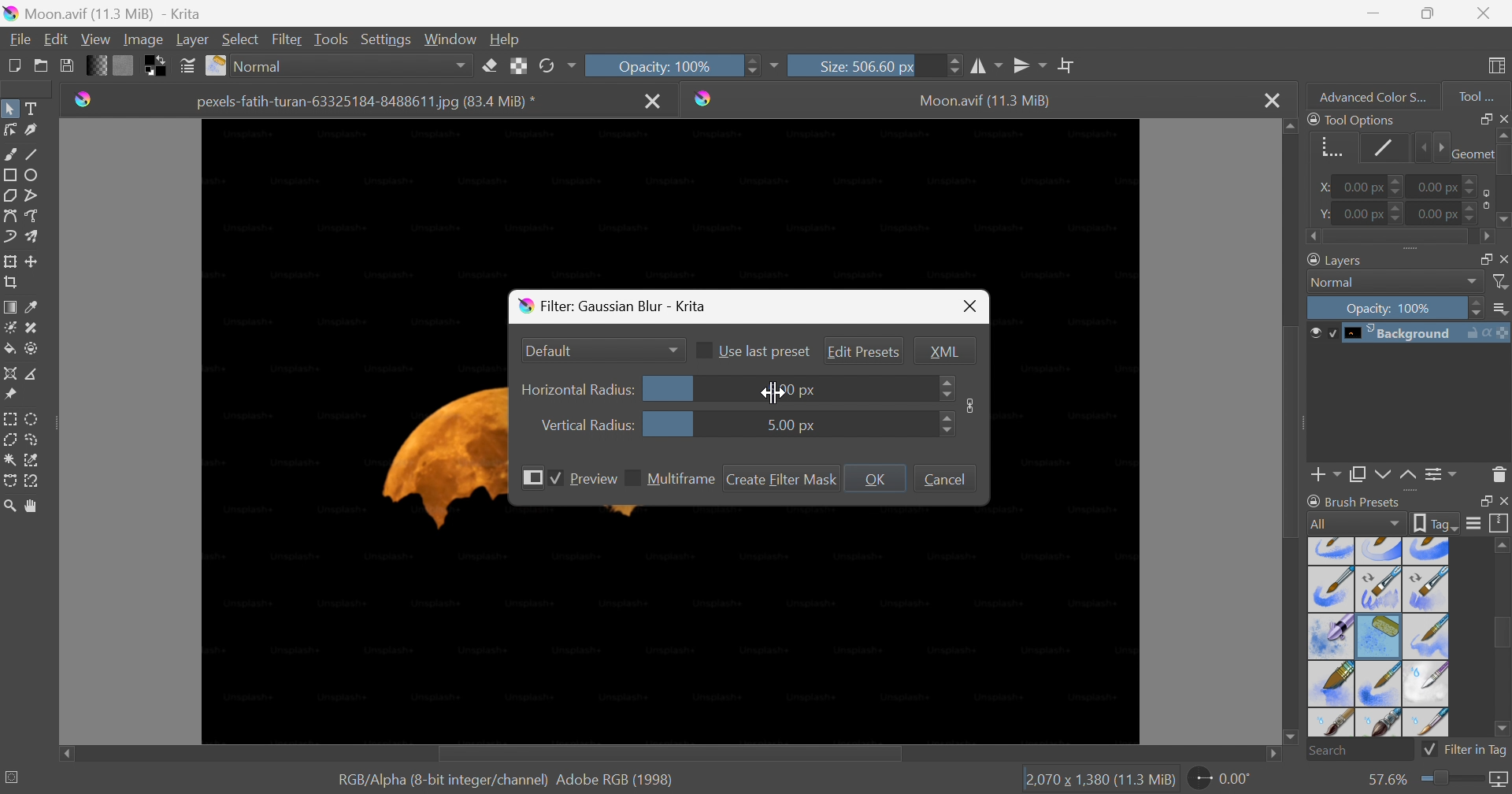 The height and width of the screenshot is (794, 1512). Describe the element at coordinates (94, 65) in the screenshot. I see `Fill gradients` at that location.